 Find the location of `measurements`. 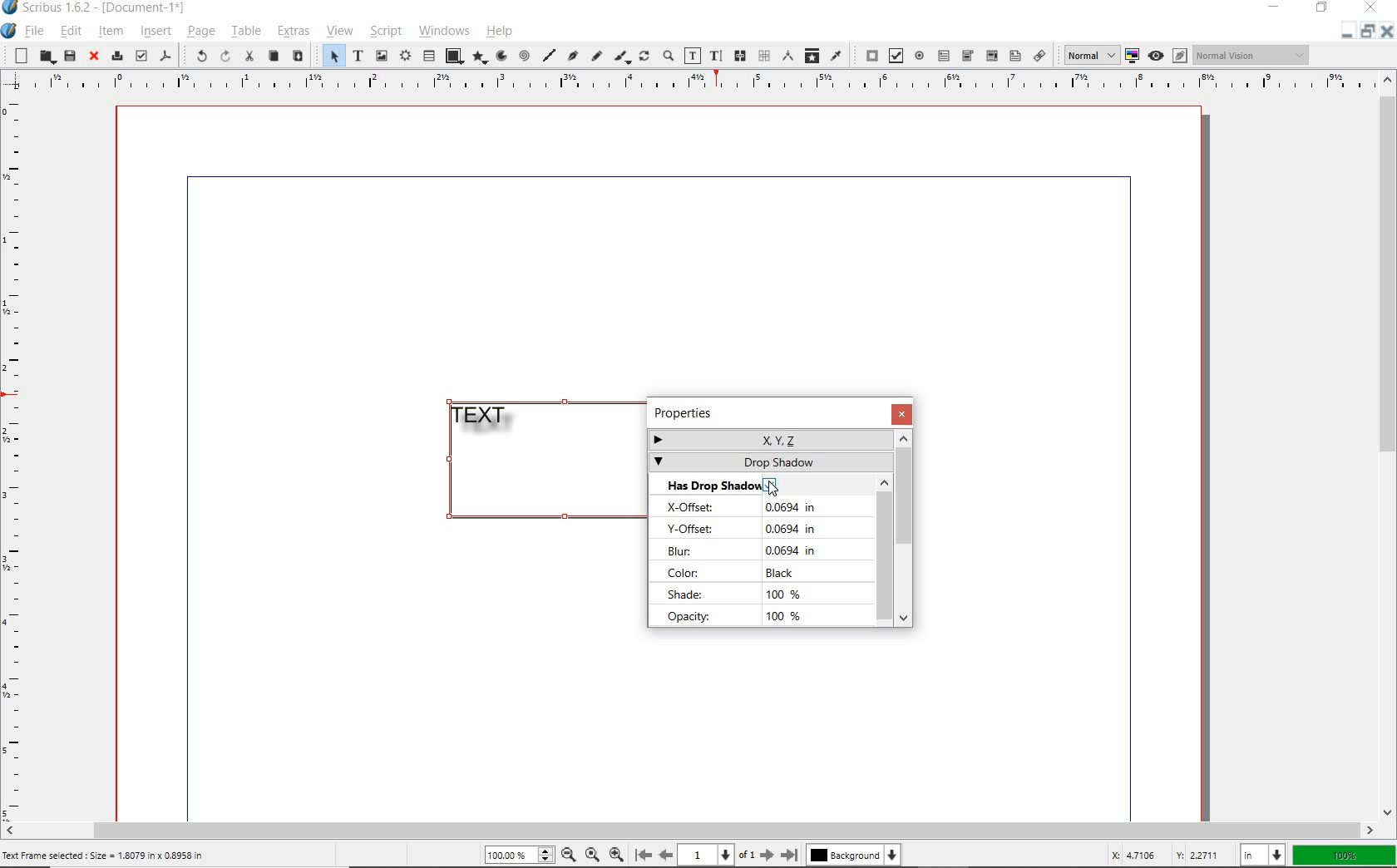

measurements is located at coordinates (786, 55).